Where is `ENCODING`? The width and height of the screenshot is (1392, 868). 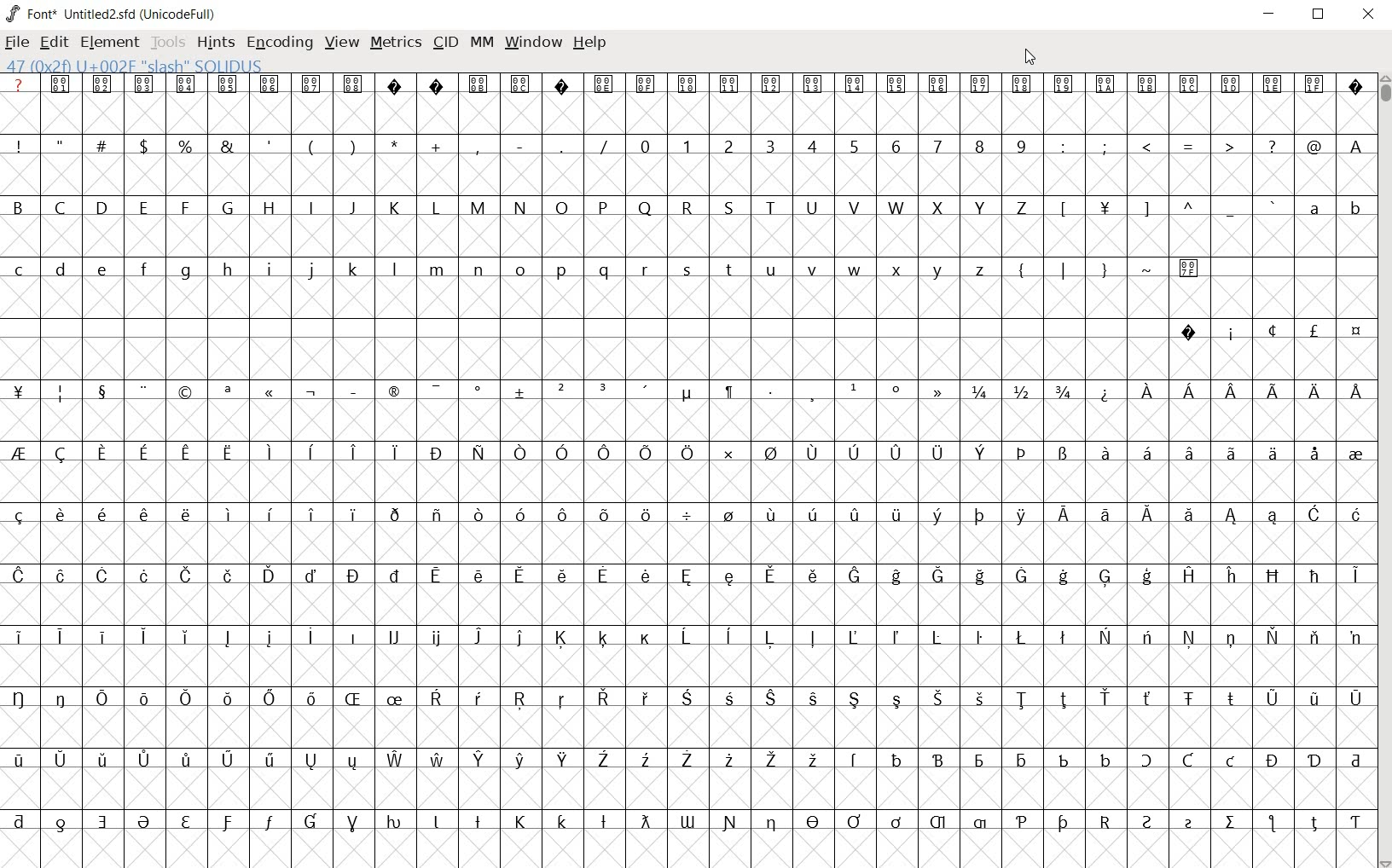 ENCODING is located at coordinates (279, 43).